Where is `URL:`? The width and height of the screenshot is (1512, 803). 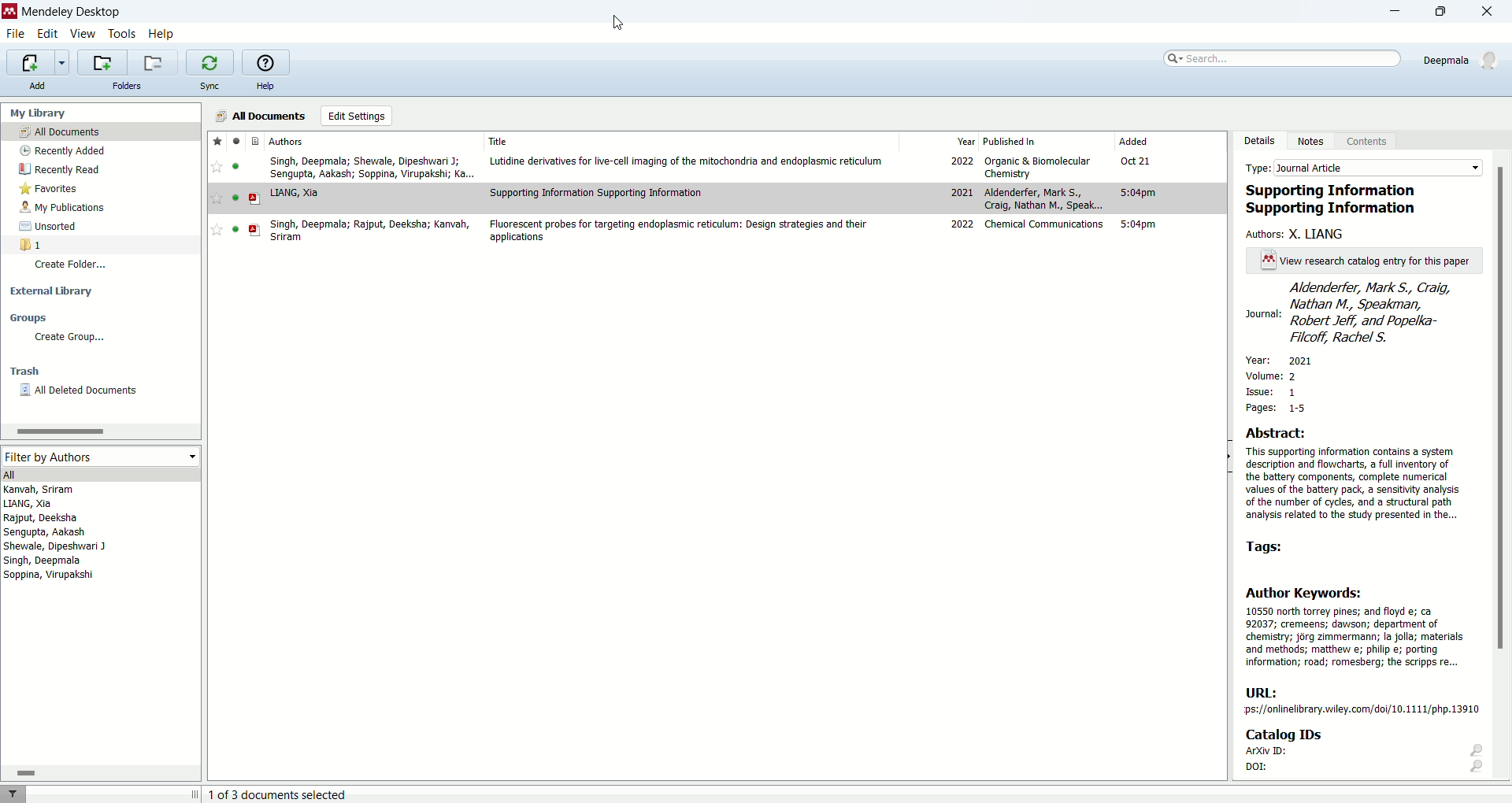 URL: is located at coordinates (1263, 692).